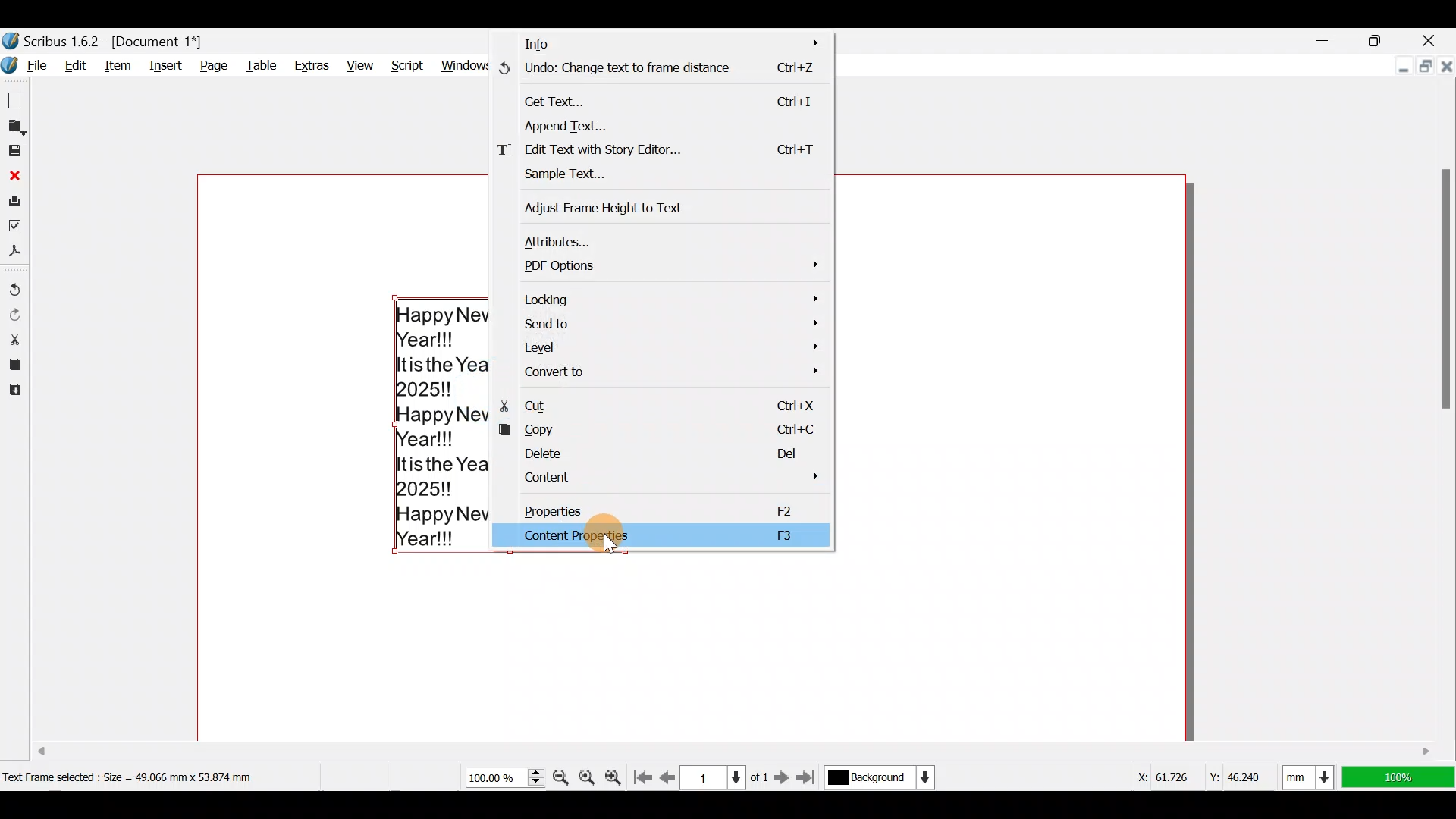  I want to click on View, so click(358, 62).